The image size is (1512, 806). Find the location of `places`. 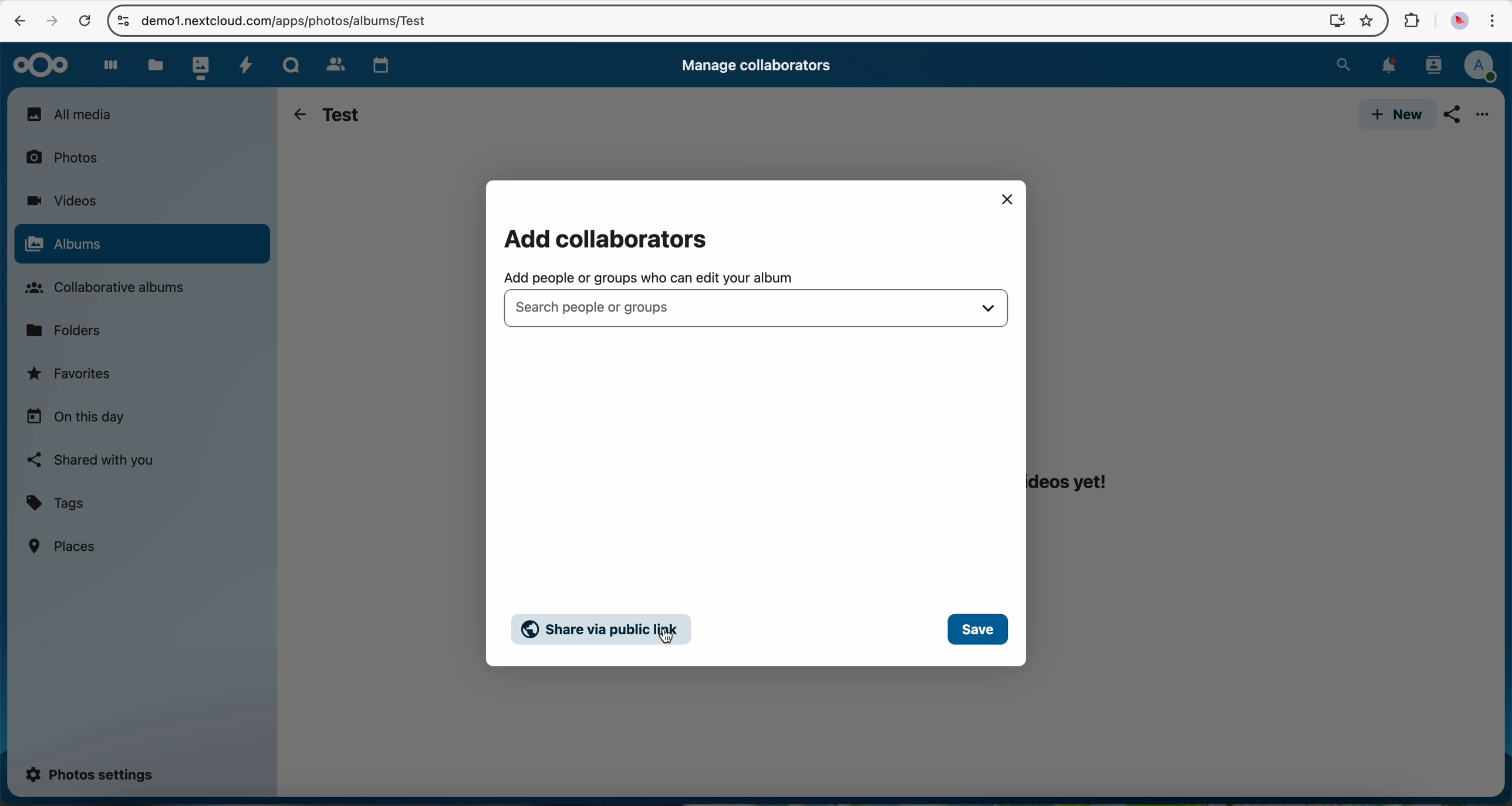

places is located at coordinates (64, 546).